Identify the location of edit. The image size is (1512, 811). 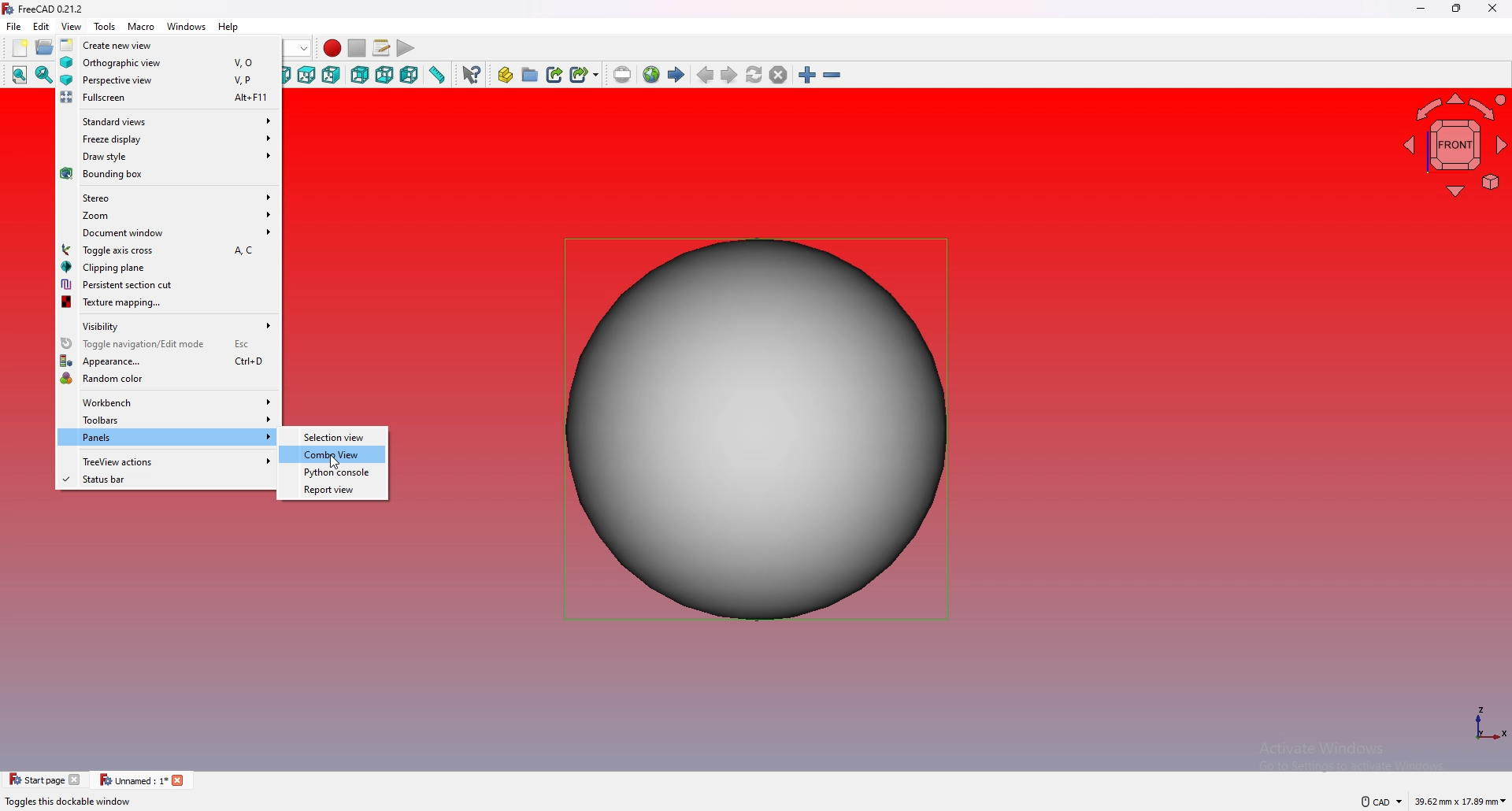
(43, 26).